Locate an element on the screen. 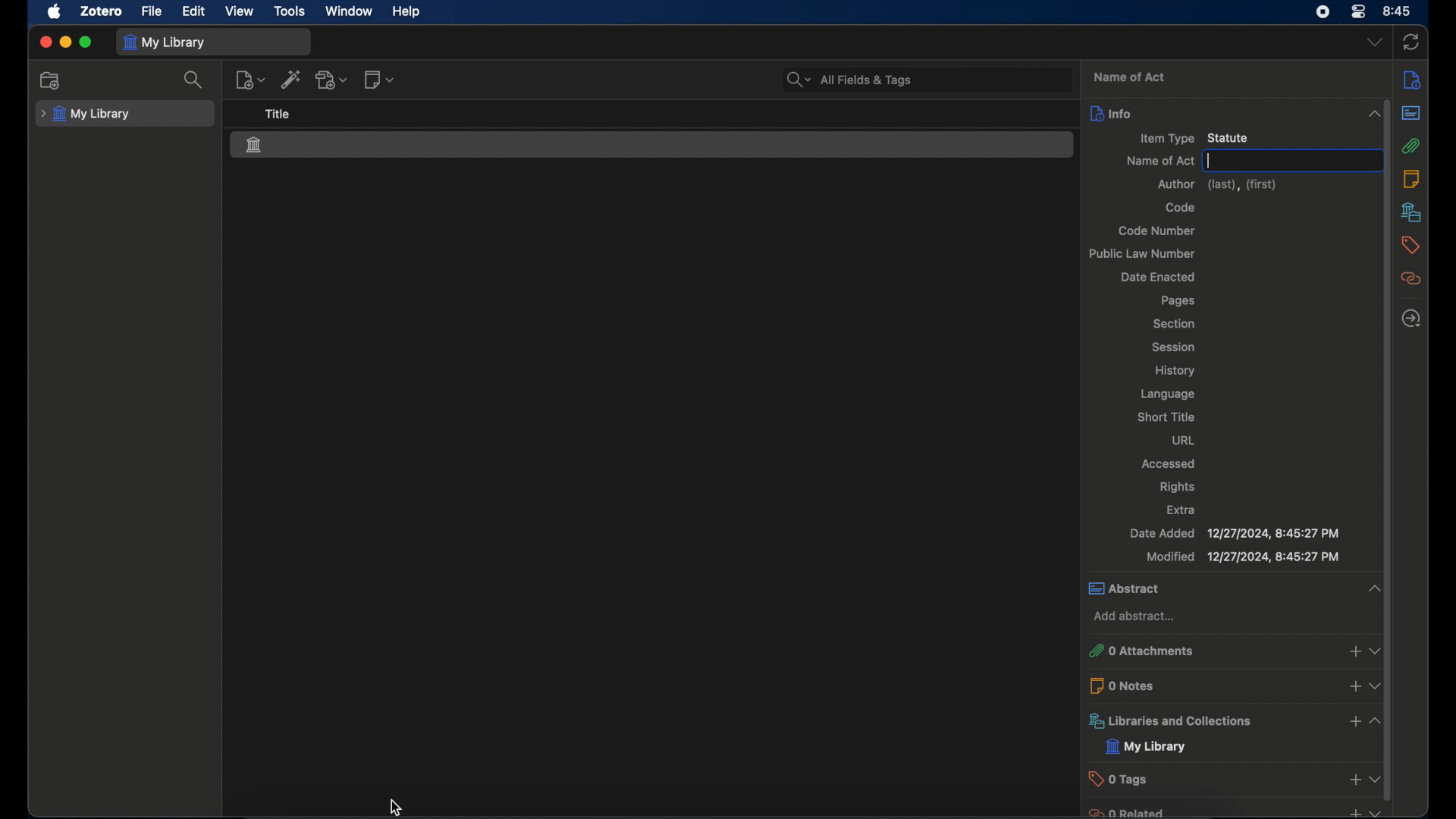 The height and width of the screenshot is (819, 1456). edit is located at coordinates (192, 12).